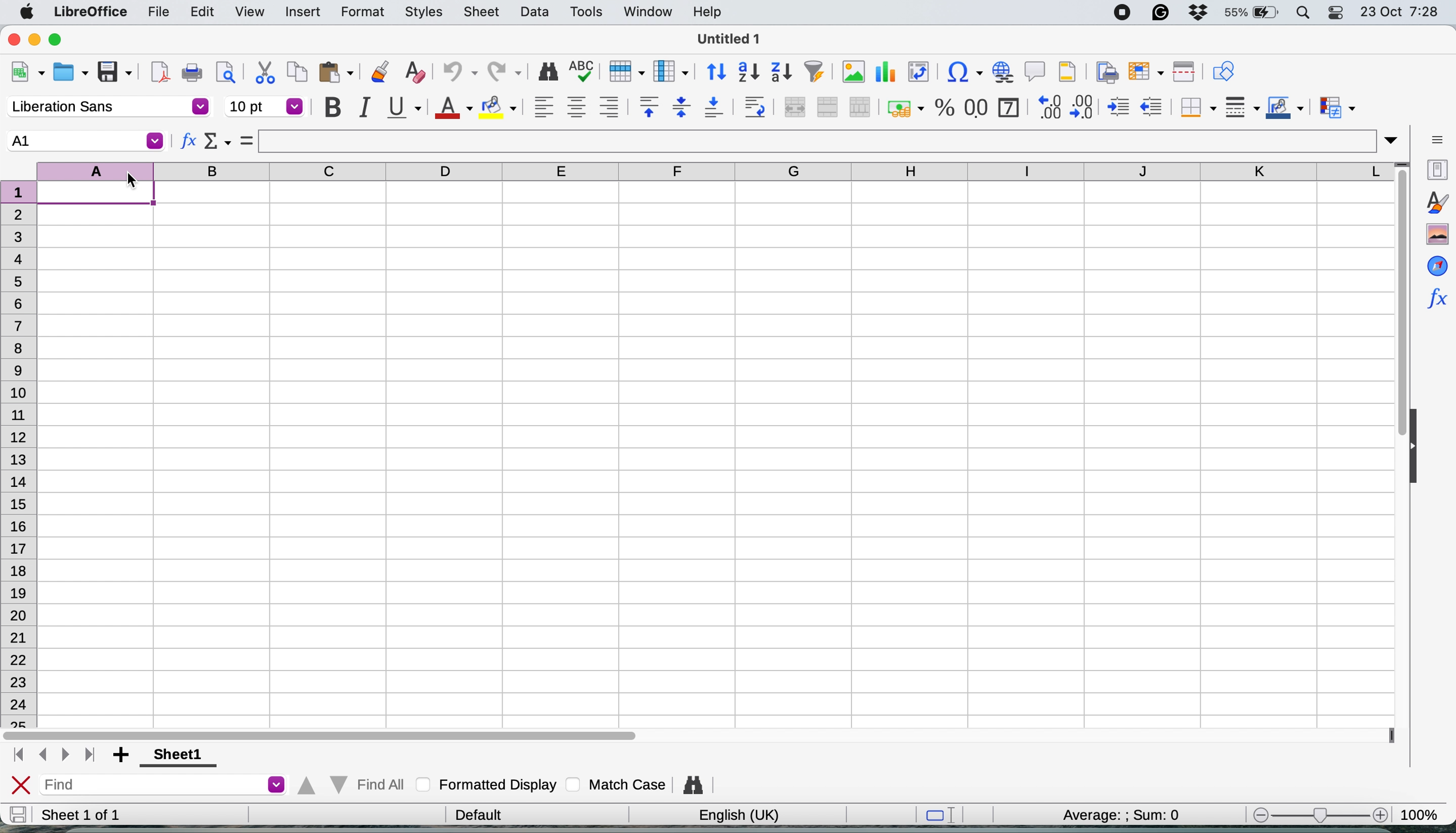  I want to click on untitled 1, so click(735, 39).